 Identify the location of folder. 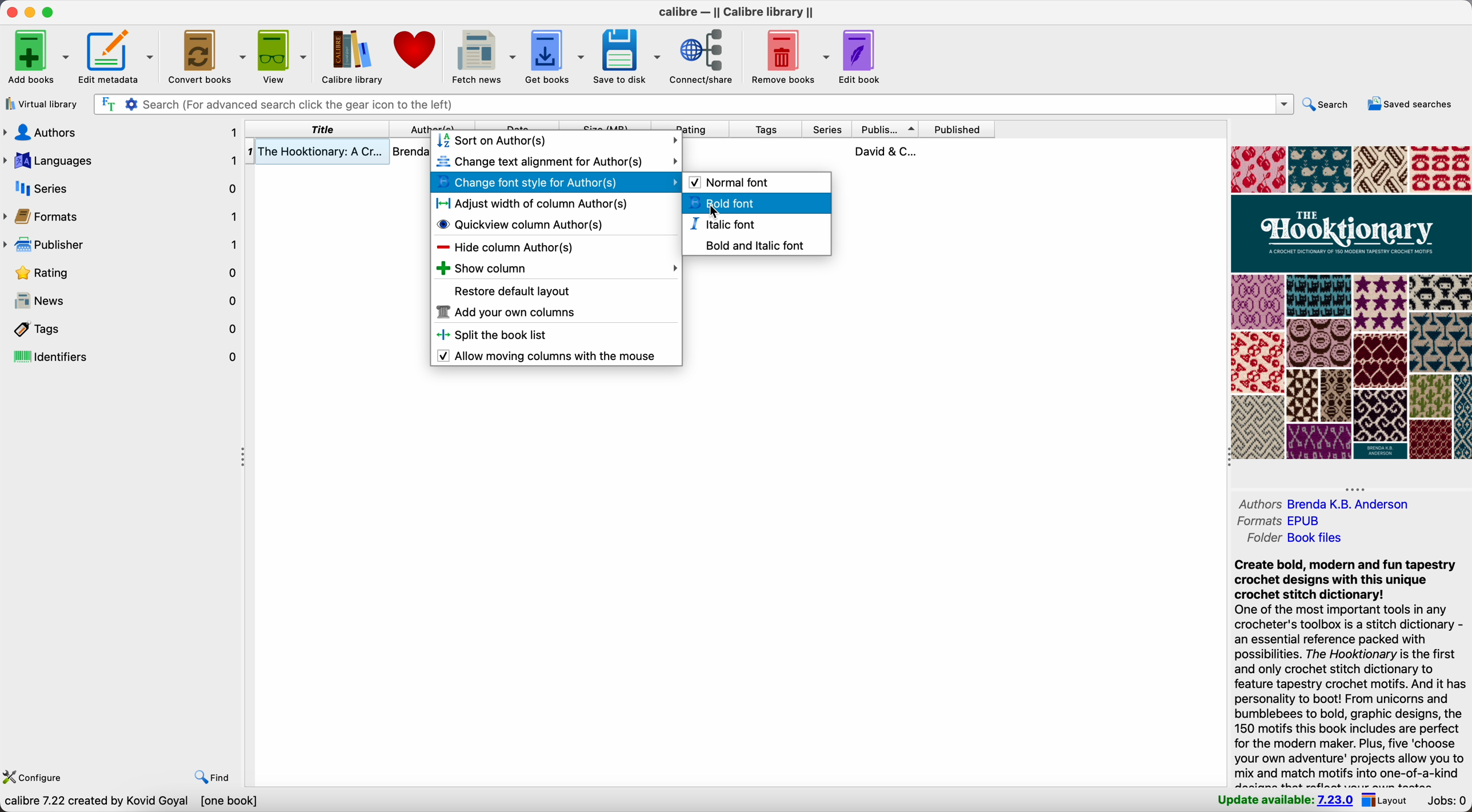
(1294, 538).